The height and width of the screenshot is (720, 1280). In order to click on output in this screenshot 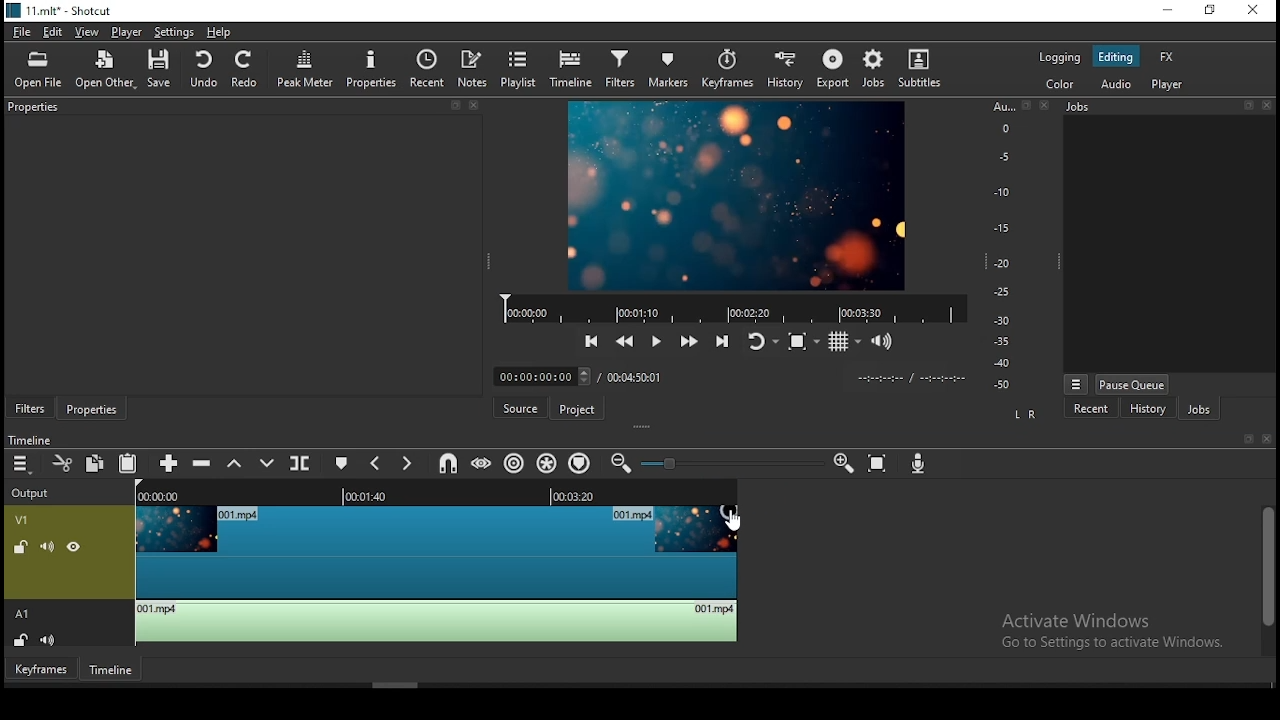, I will do `click(34, 494)`.